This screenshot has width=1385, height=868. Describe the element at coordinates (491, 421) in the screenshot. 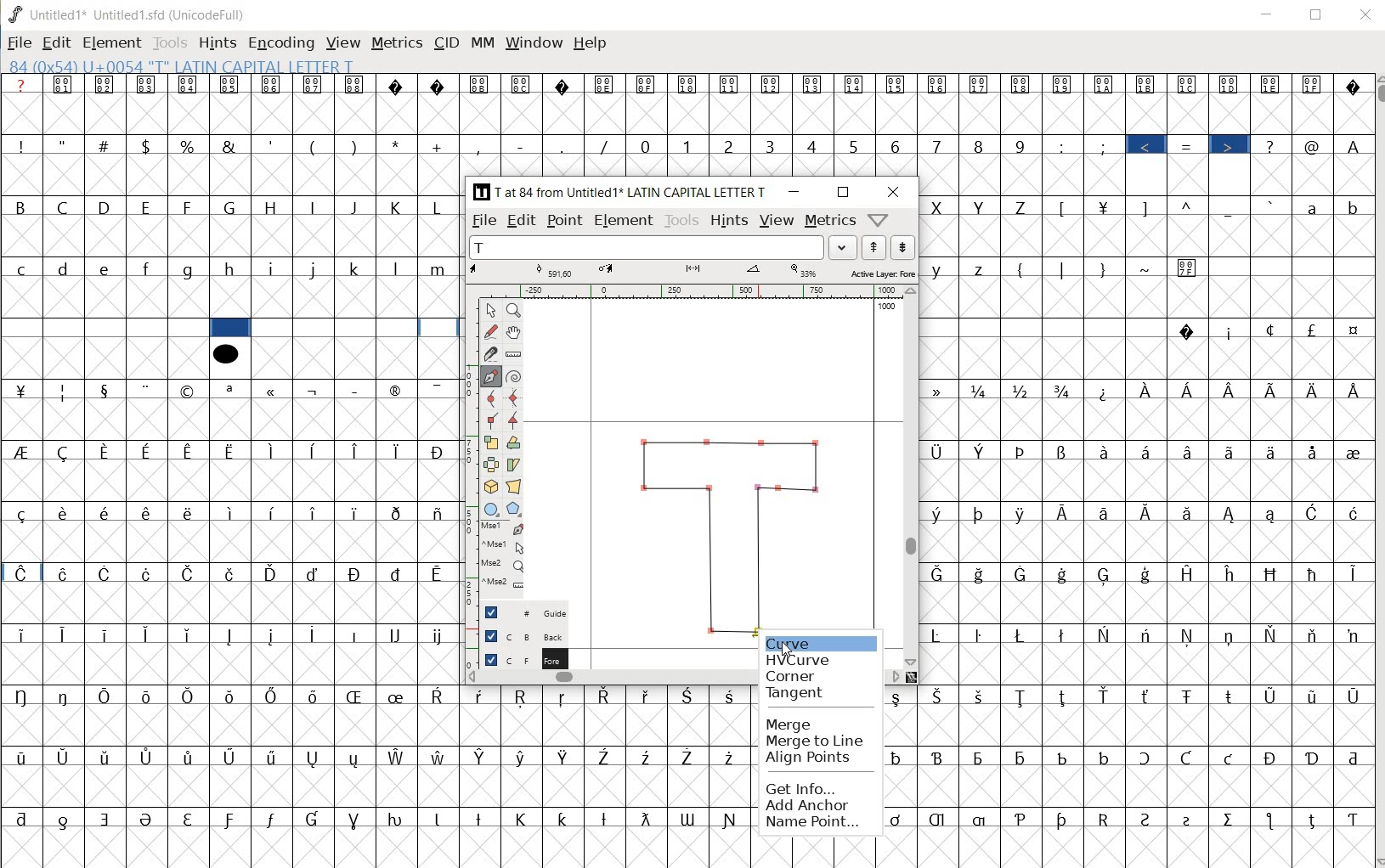

I see `corner` at that location.